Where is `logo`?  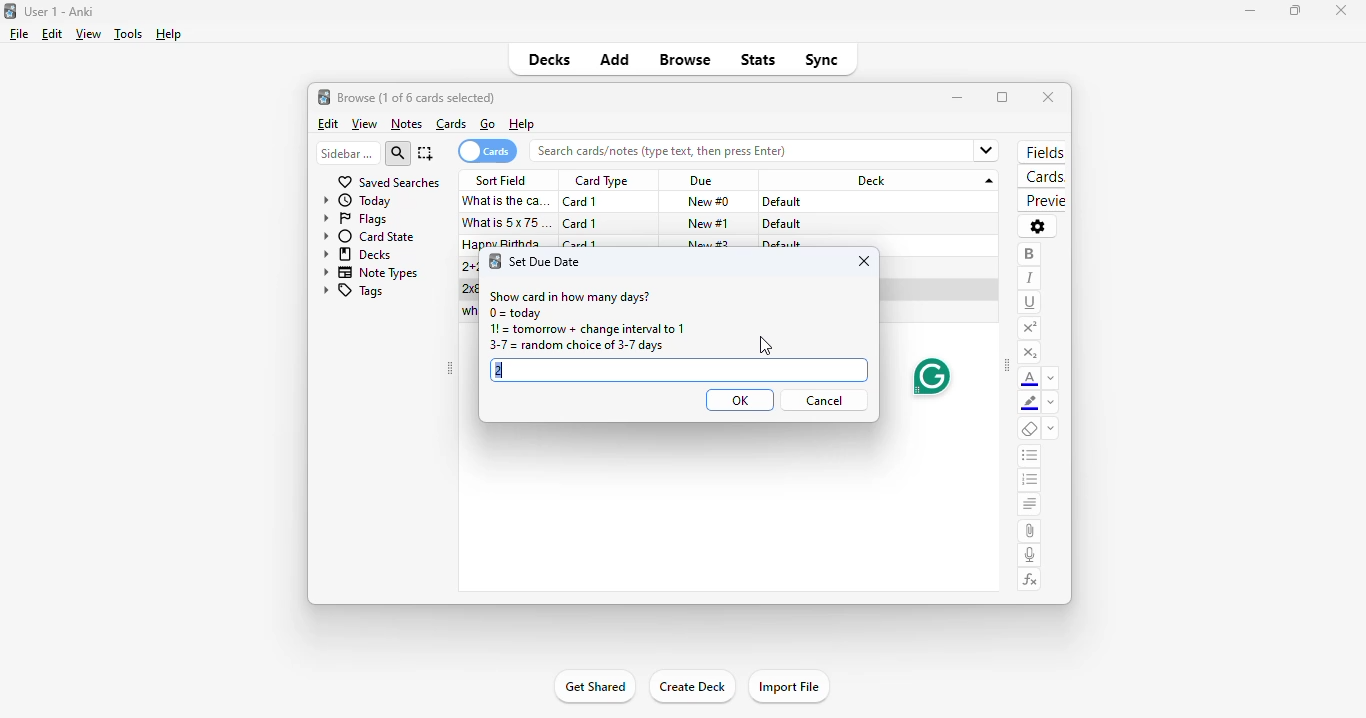
logo is located at coordinates (324, 97).